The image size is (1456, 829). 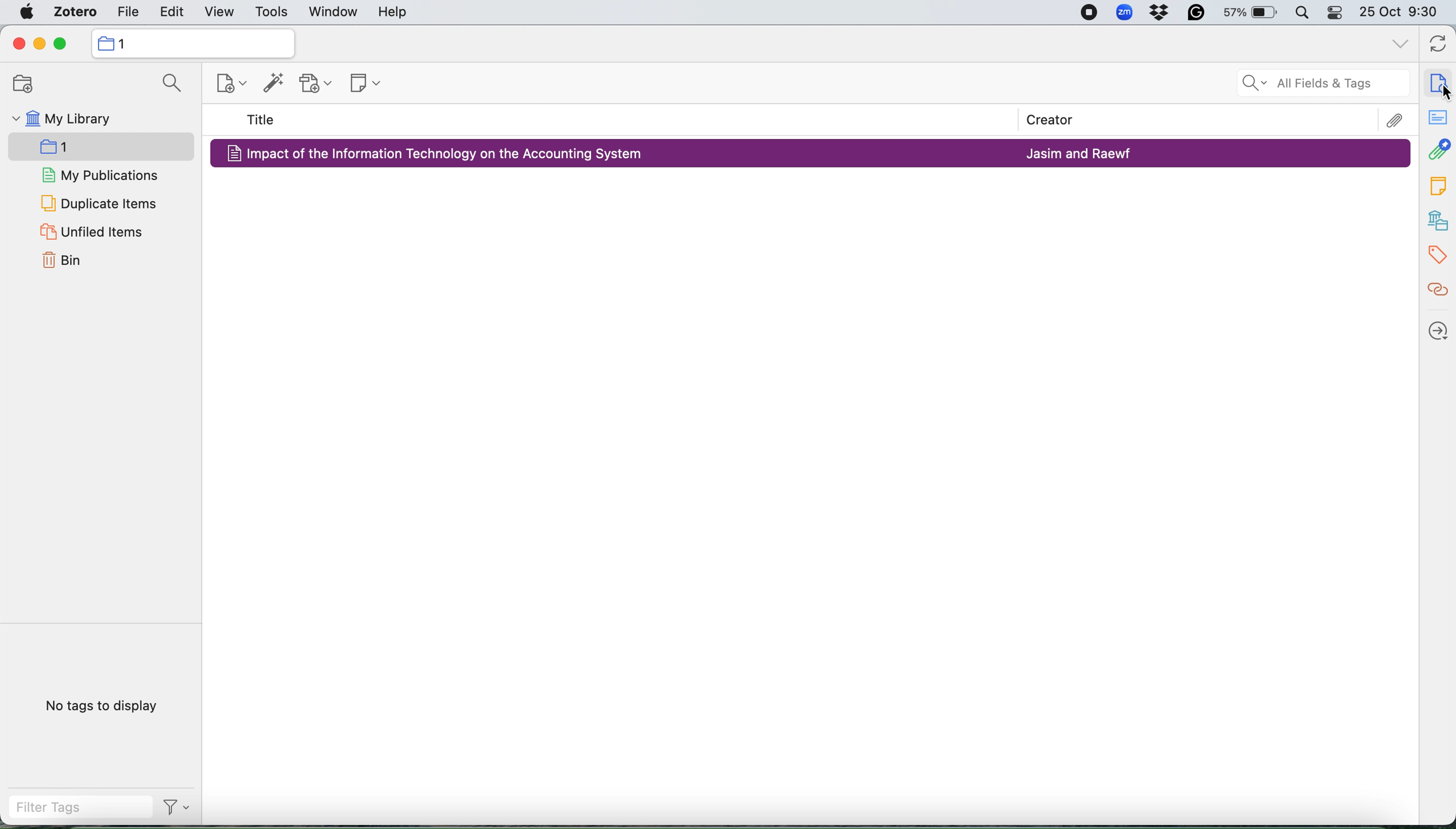 What do you see at coordinates (1439, 80) in the screenshot?
I see `info` at bounding box center [1439, 80].